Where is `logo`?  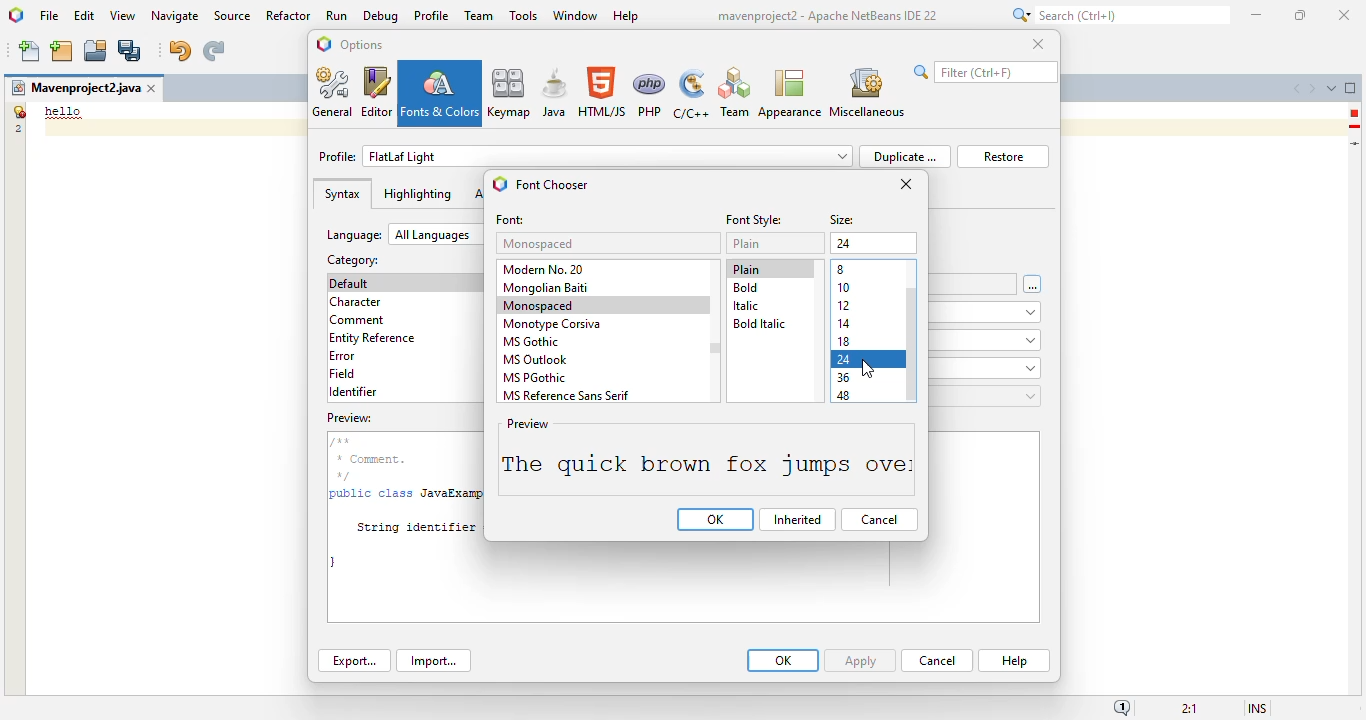
logo is located at coordinates (500, 184).